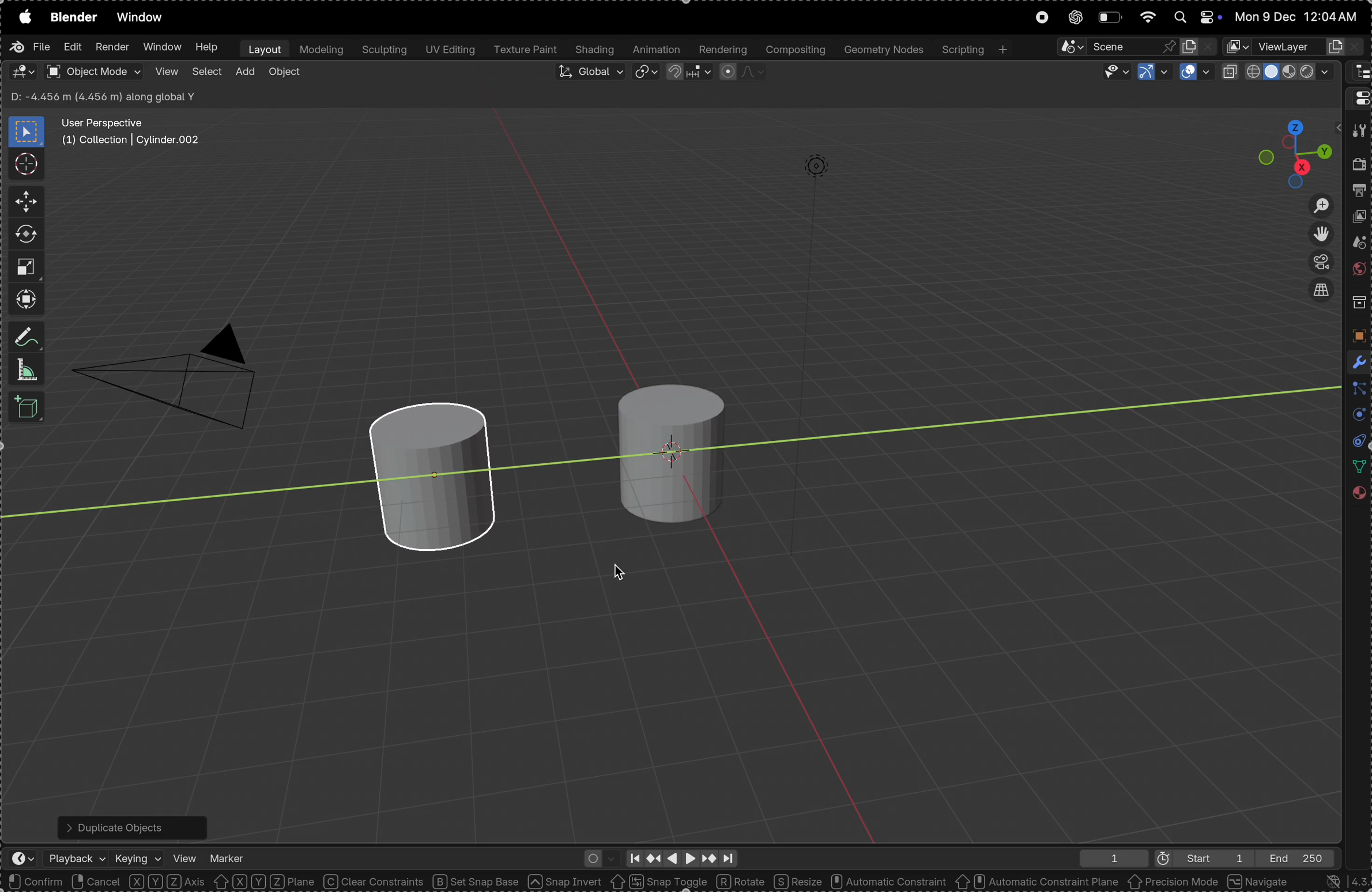 This screenshot has width=1372, height=892. I want to click on resize, so click(797, 881).